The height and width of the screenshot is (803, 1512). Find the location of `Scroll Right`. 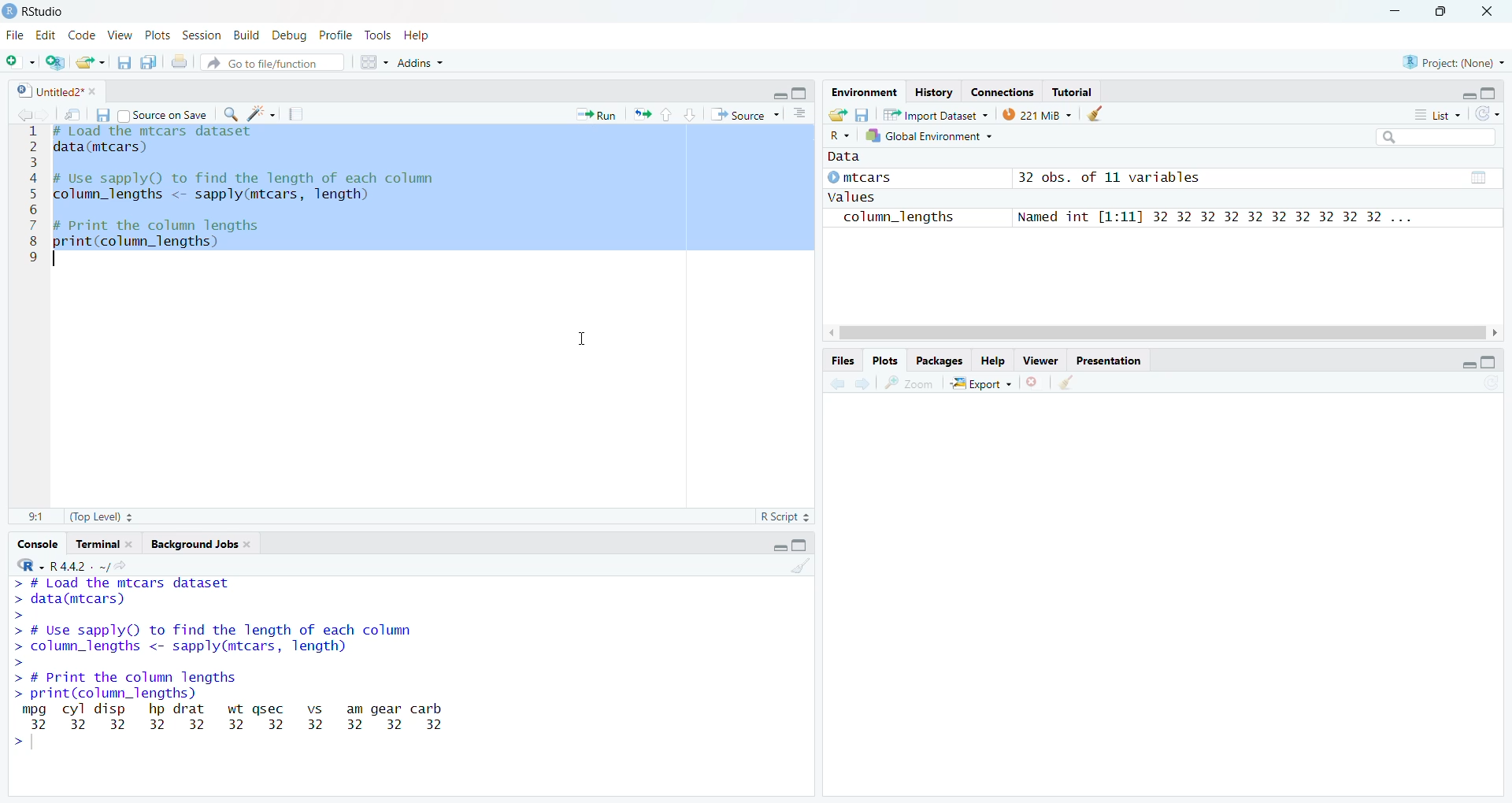

Scroll Right is located at coordinates (829, 332).